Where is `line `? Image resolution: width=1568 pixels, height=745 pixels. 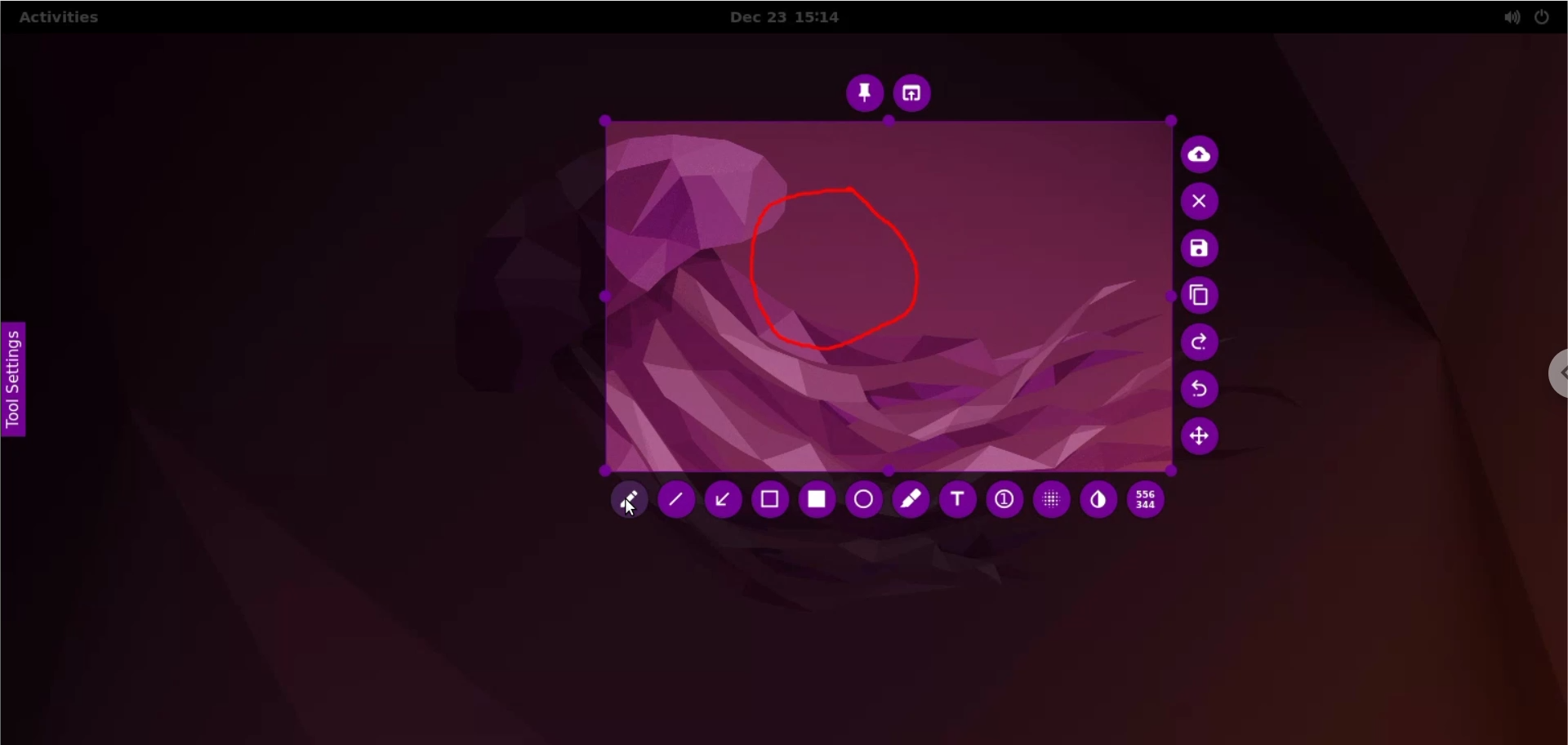
line  is located at coordinates (675, 500).